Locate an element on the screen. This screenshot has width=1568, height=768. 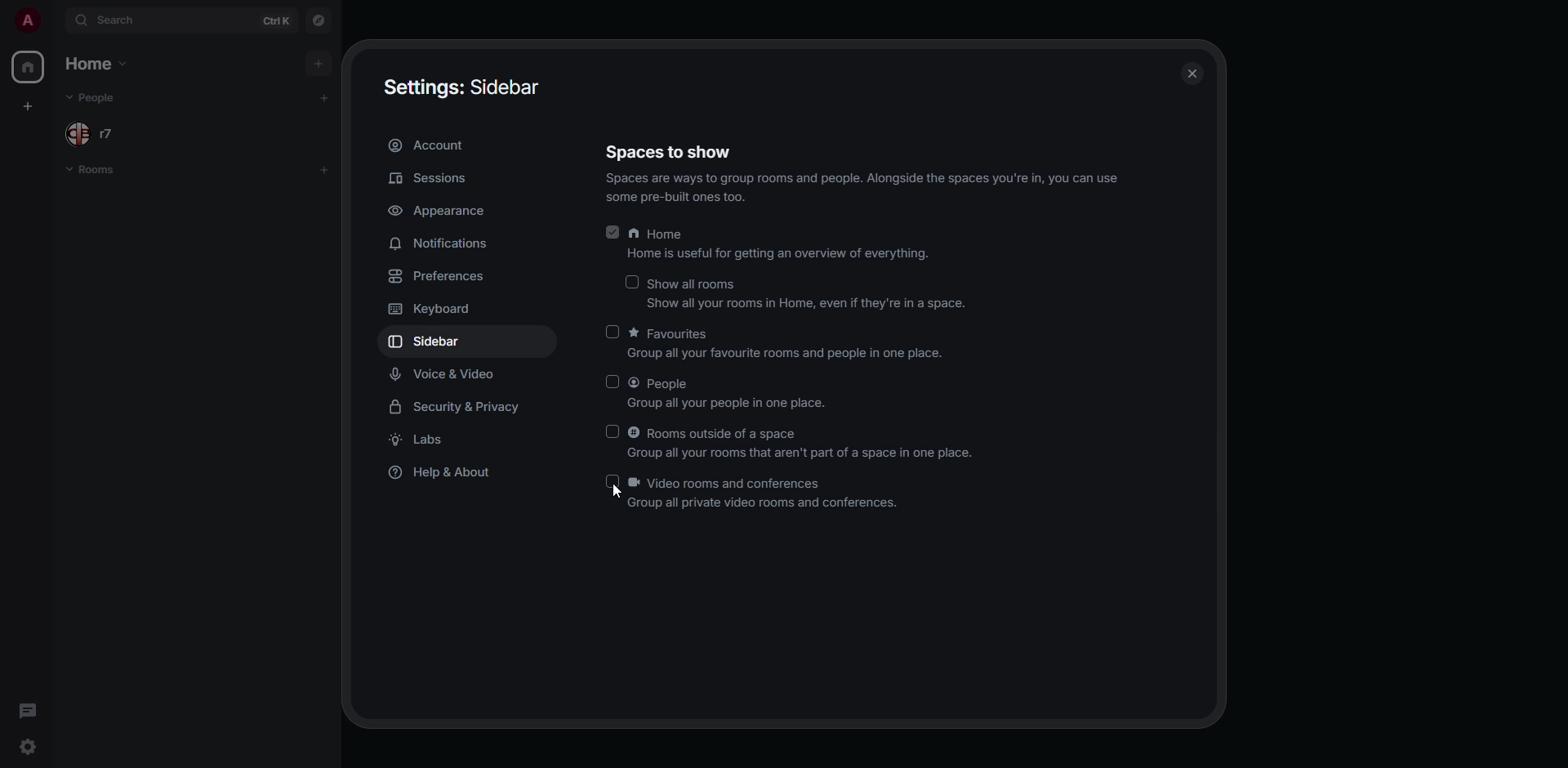
click to enable is located at coordinates (630, 281).